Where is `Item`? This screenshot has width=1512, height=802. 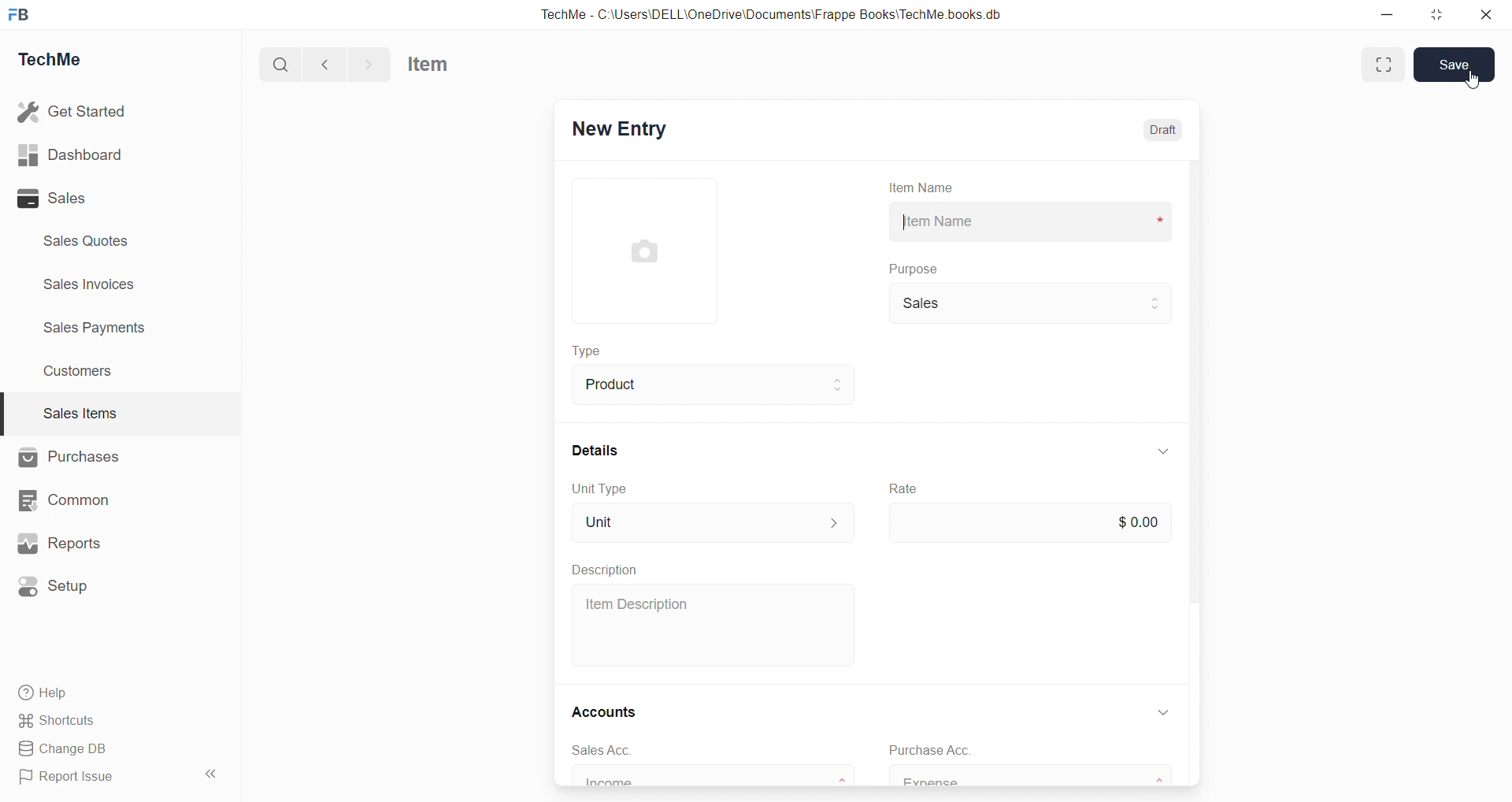 Item is located at coordinates (428, 64).